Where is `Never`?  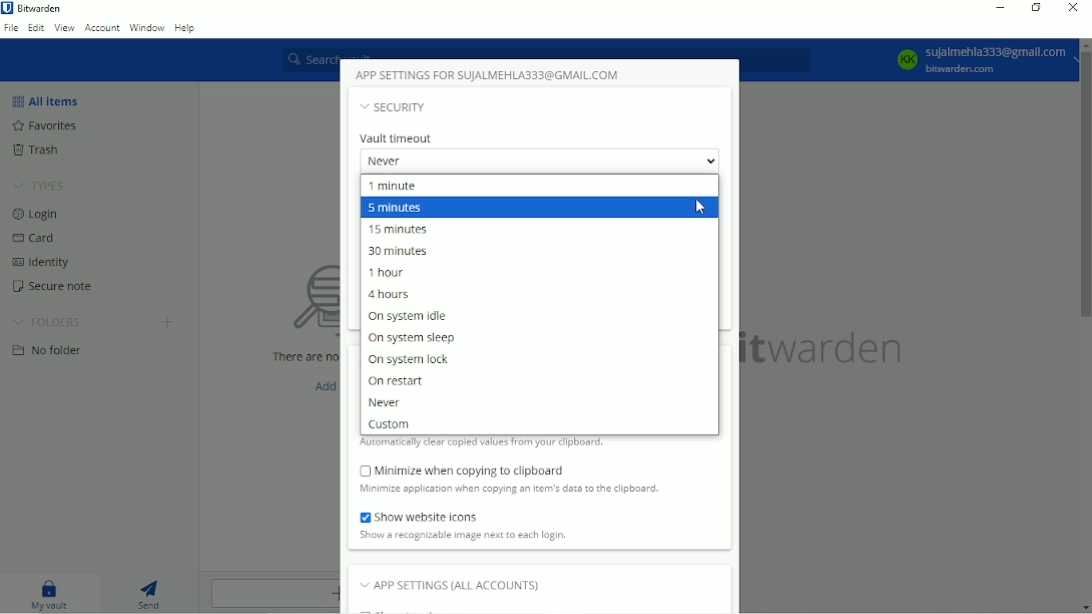 Never is located at coordinates (539, 161).